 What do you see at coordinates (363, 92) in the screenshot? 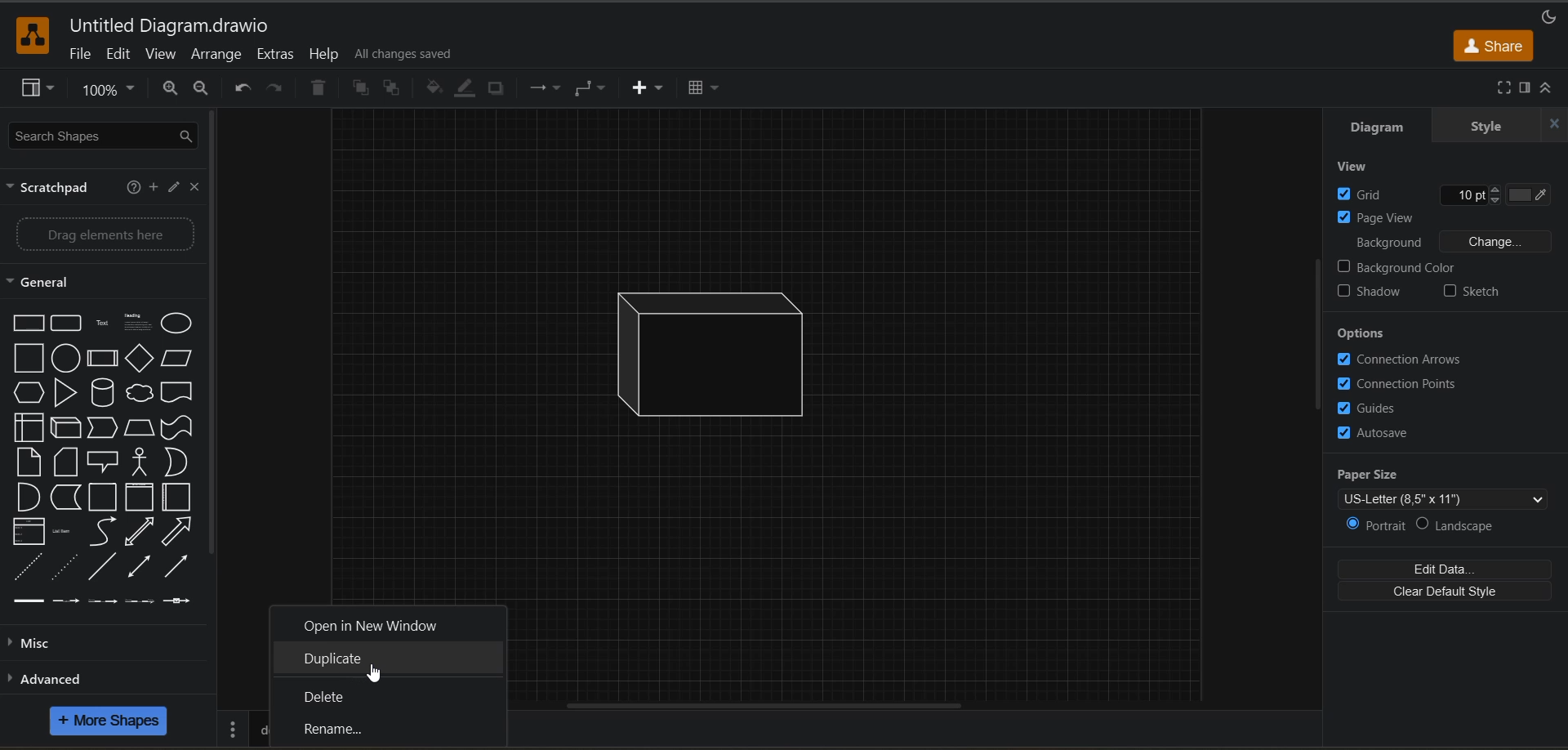
I see `to front` at bounding box center [363, 92].